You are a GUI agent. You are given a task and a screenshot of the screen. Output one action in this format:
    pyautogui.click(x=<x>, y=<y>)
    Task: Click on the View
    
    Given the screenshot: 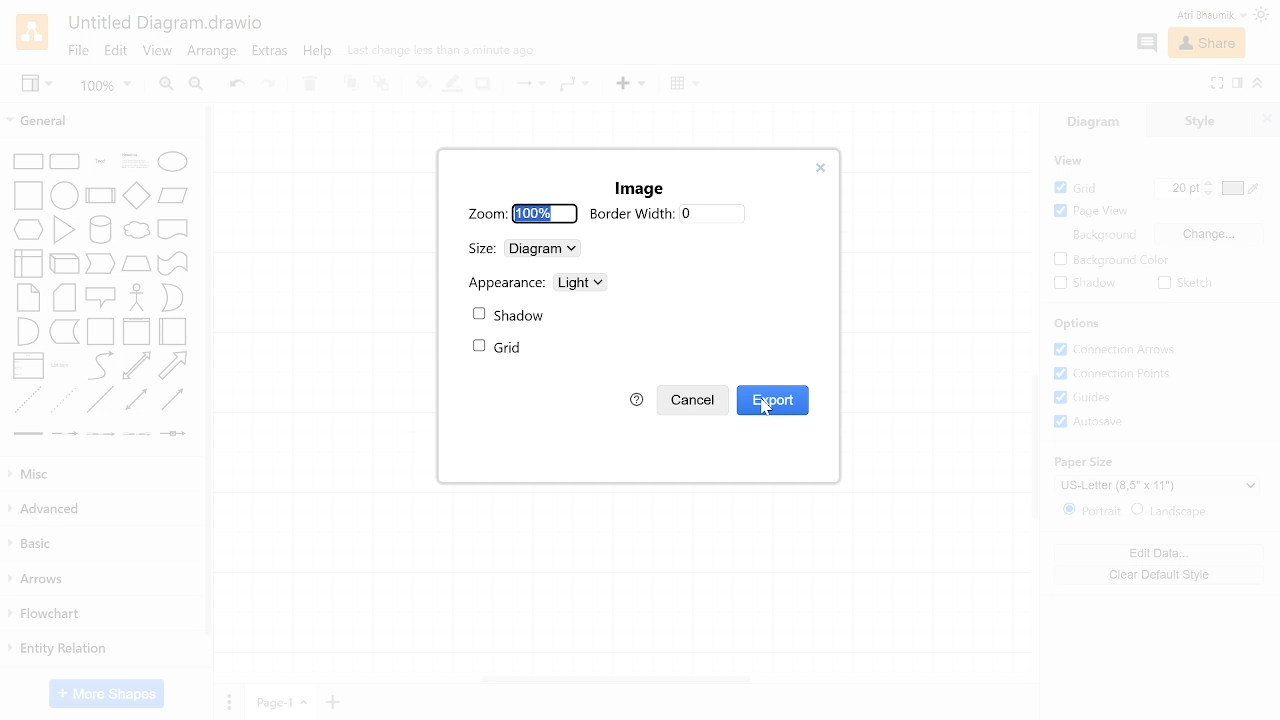 What is the action you would take?
    pyautogui.click(x=157, y=51)
    